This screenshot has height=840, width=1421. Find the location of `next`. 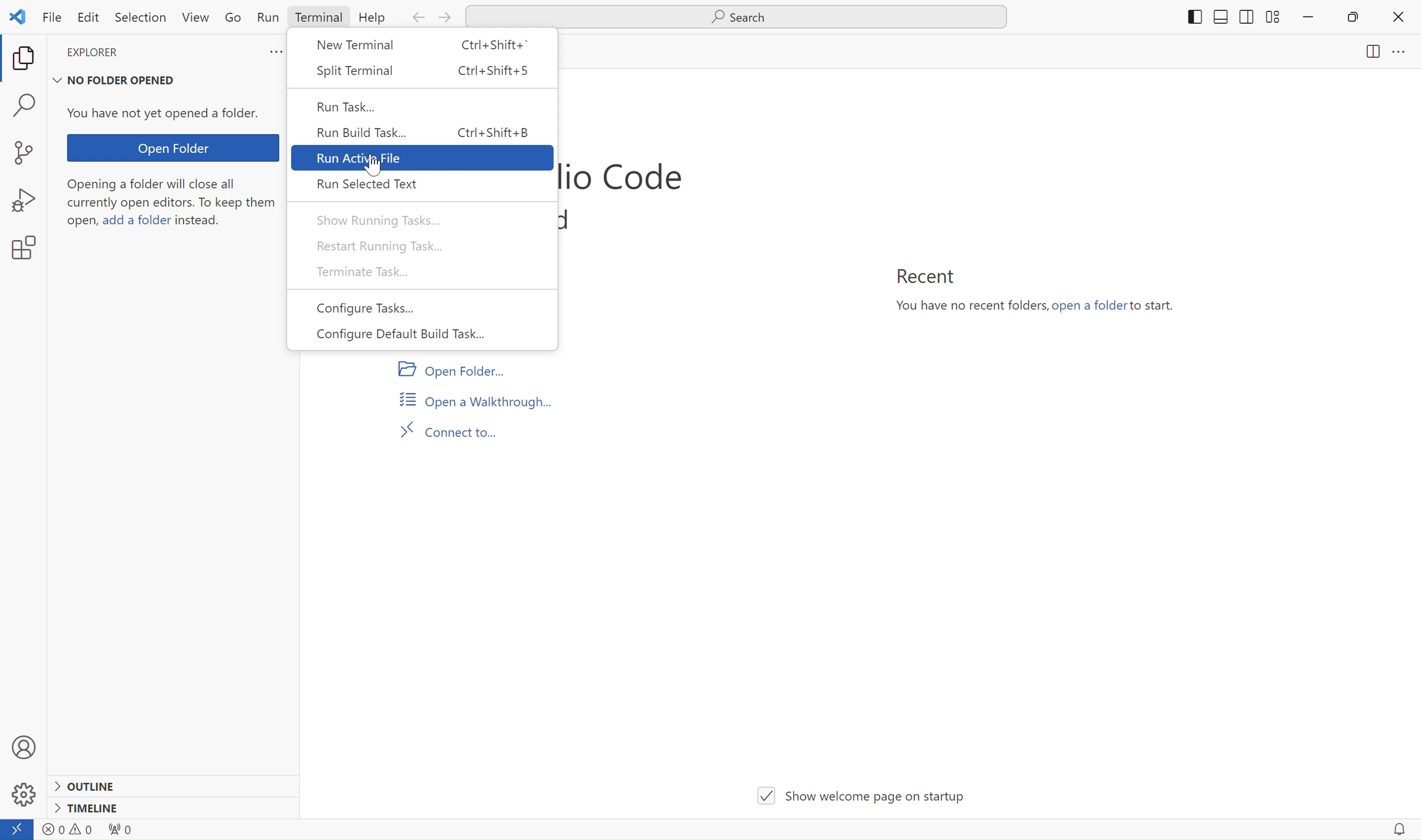

next is located at coordinates (443, 17).